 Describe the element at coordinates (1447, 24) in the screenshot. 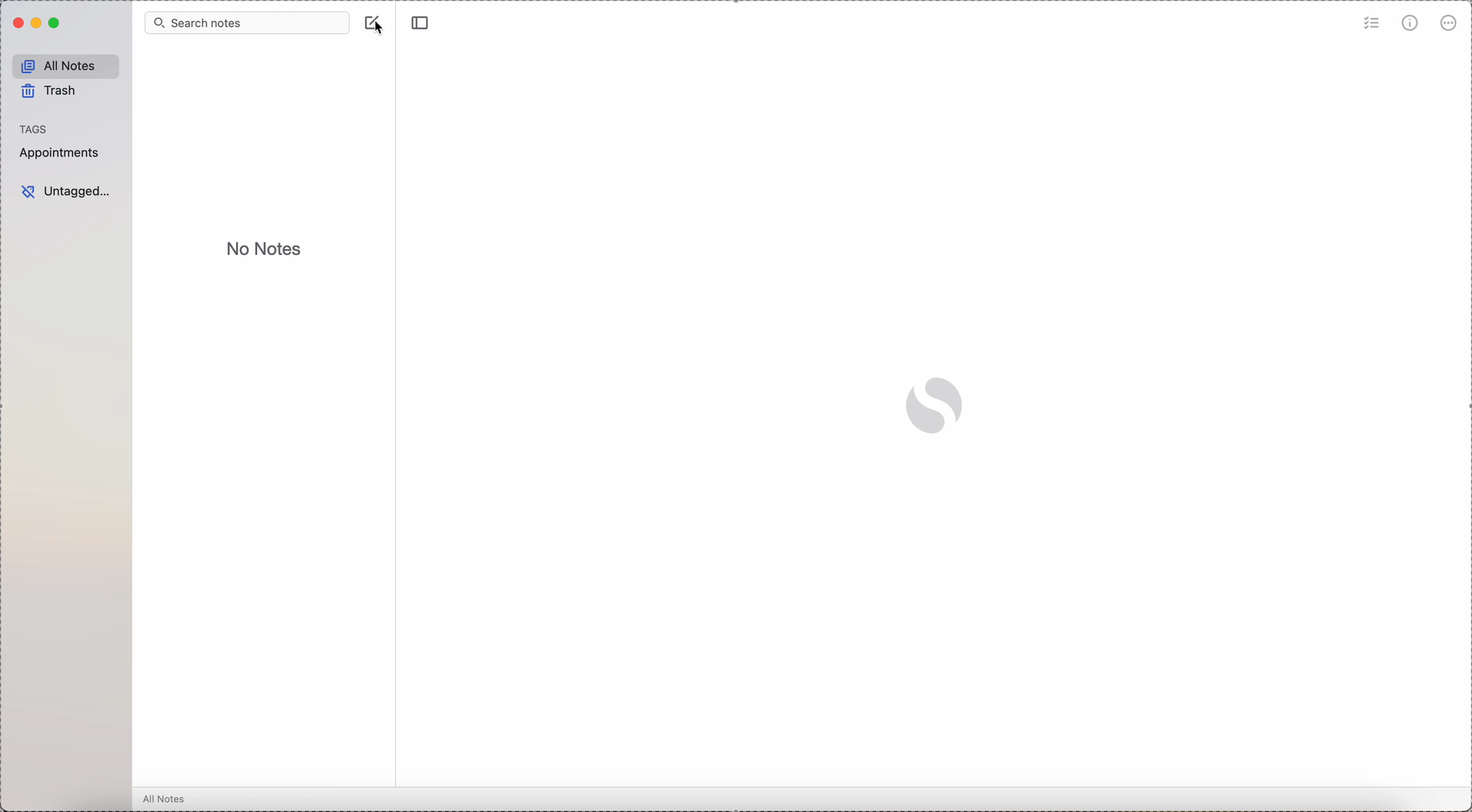

I see `more options` at that location.